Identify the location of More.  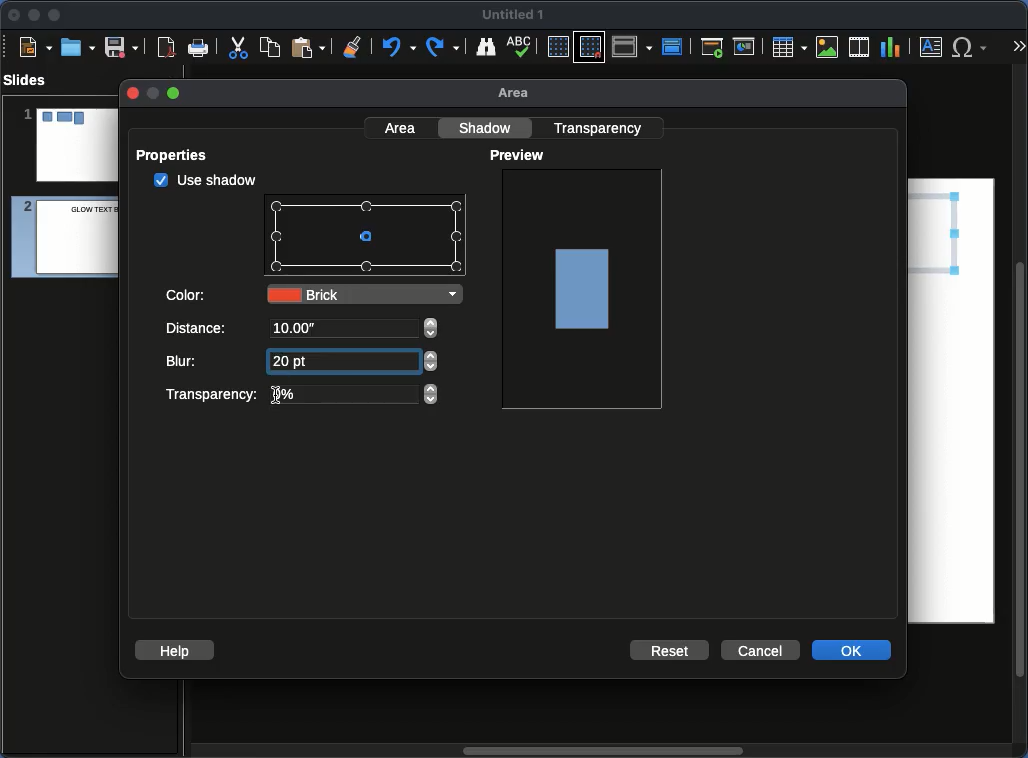
(1018, 48).